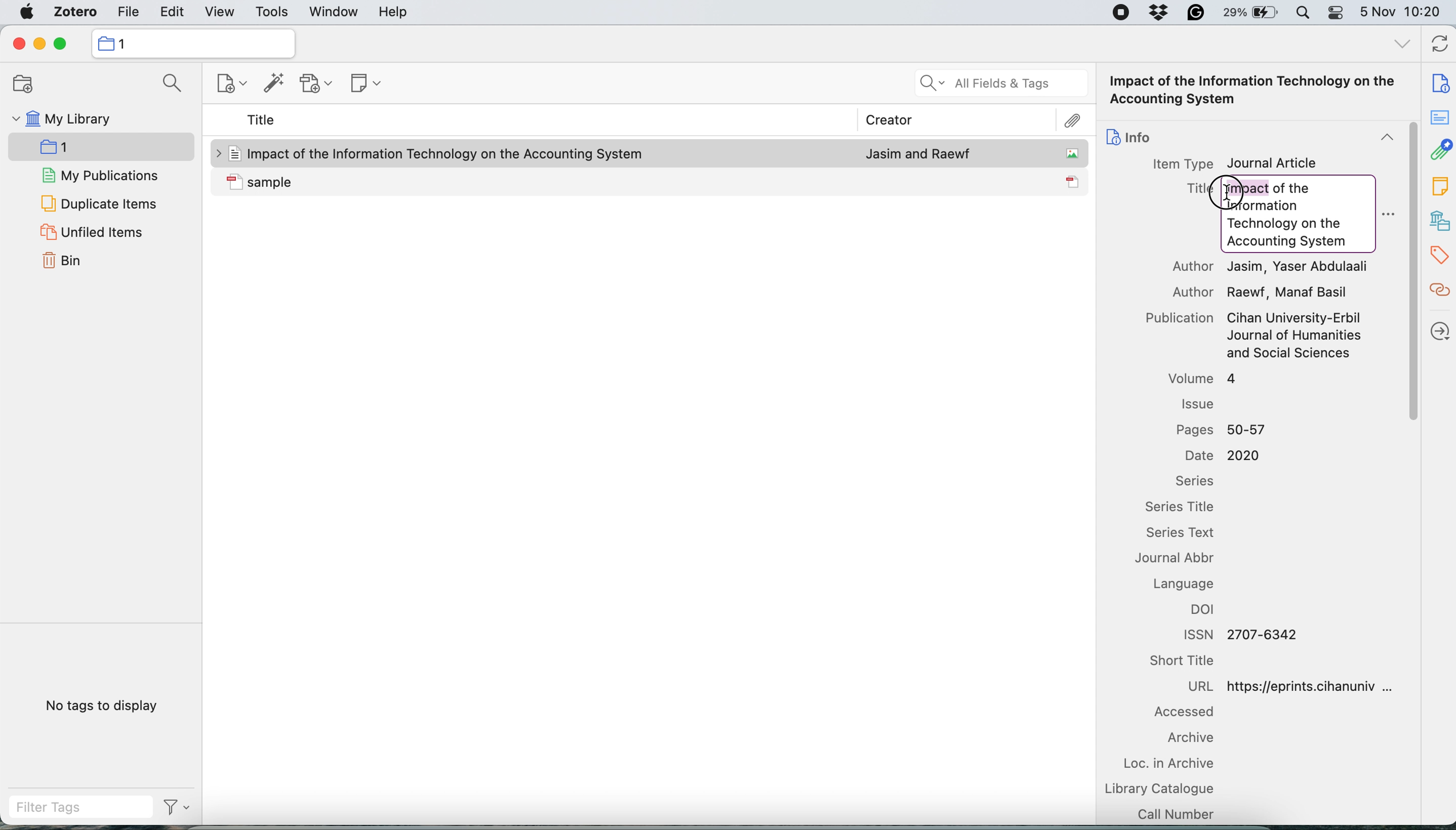  Describe the element at coordinates (1439, 83) in the screenshot. I see `note info` at that location.